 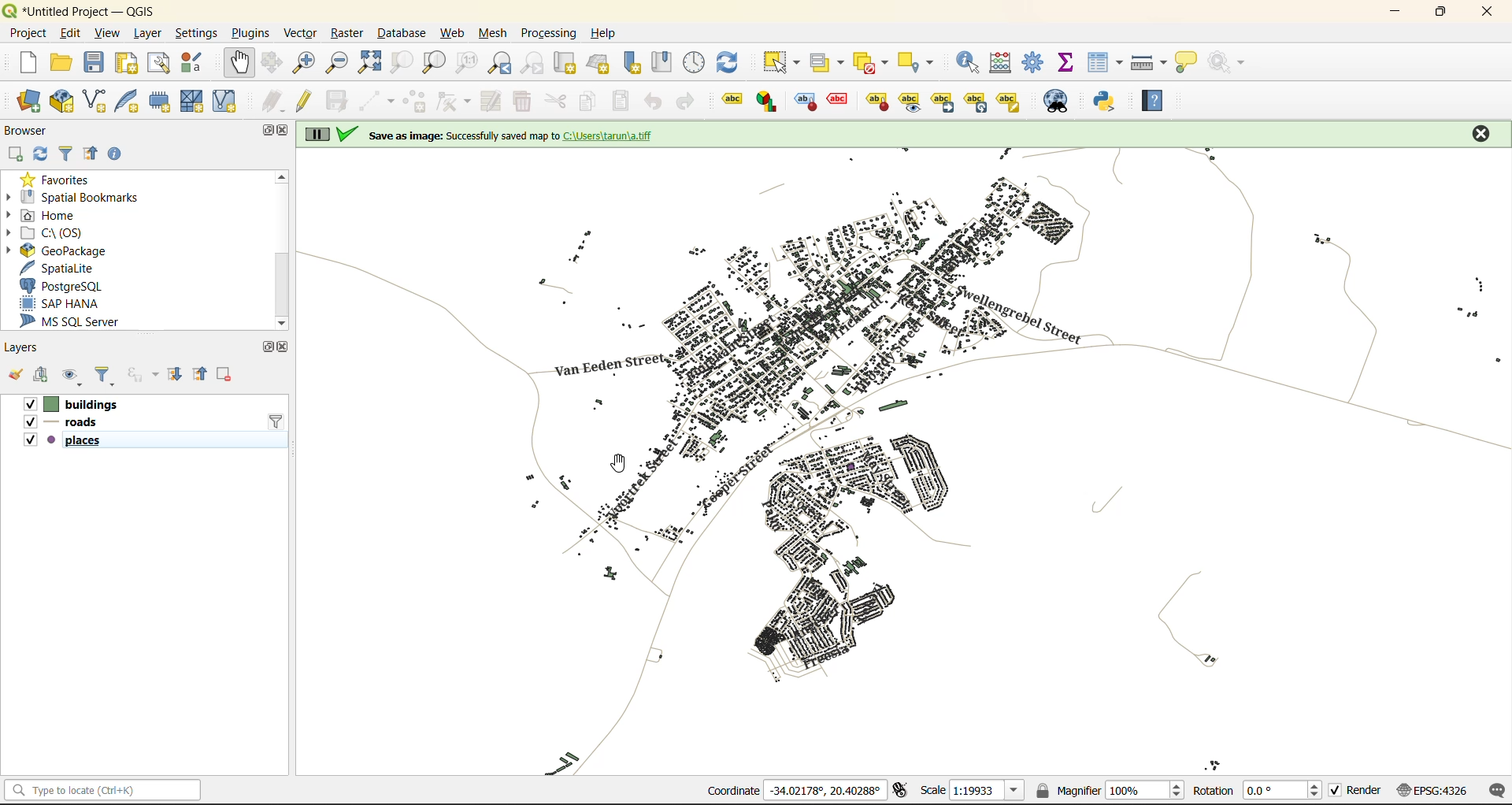 I want to click on control panel, so click(x=696, y=63).